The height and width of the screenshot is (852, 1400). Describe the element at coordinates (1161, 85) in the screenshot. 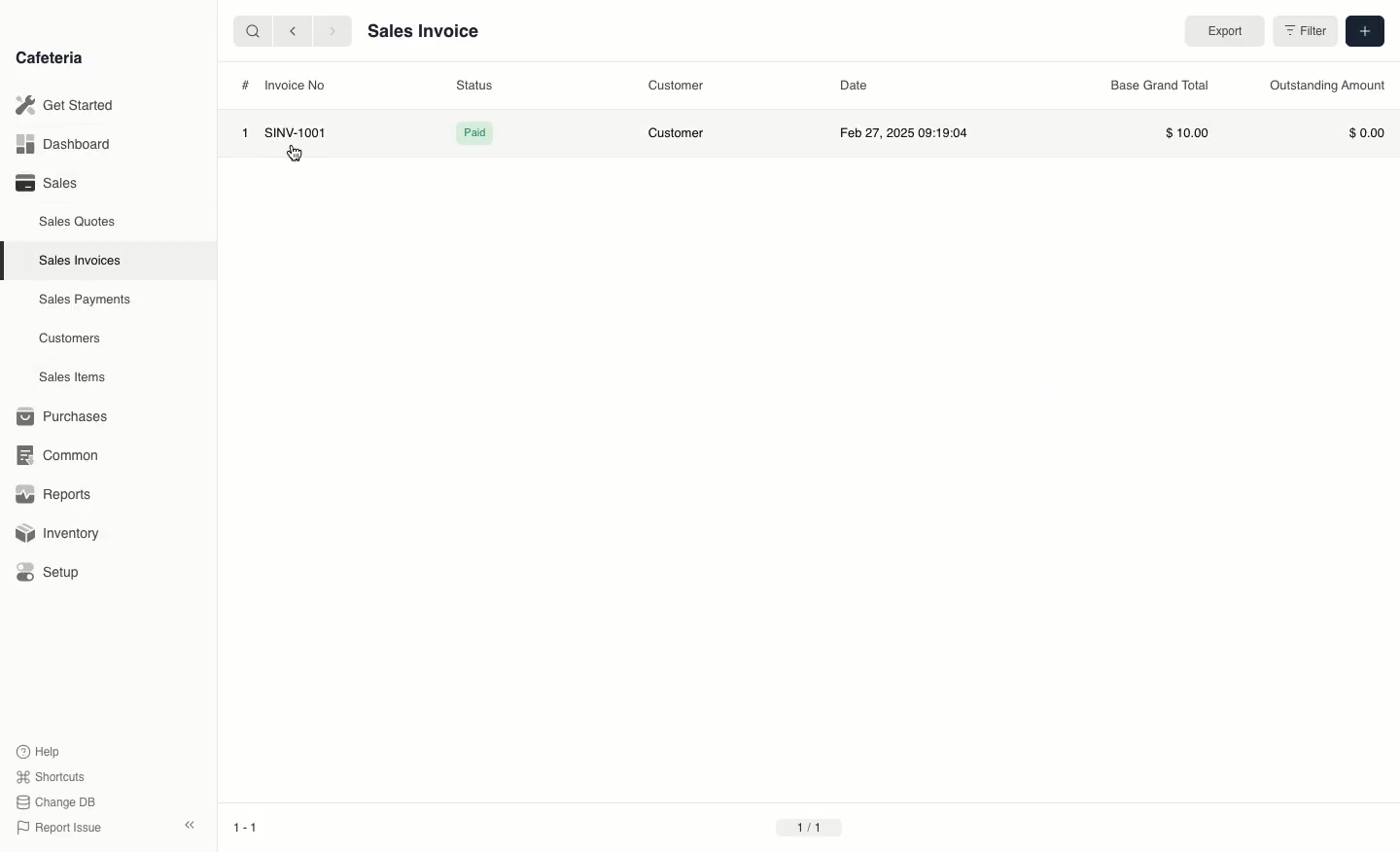

I see `Base Grand Total` at that location.